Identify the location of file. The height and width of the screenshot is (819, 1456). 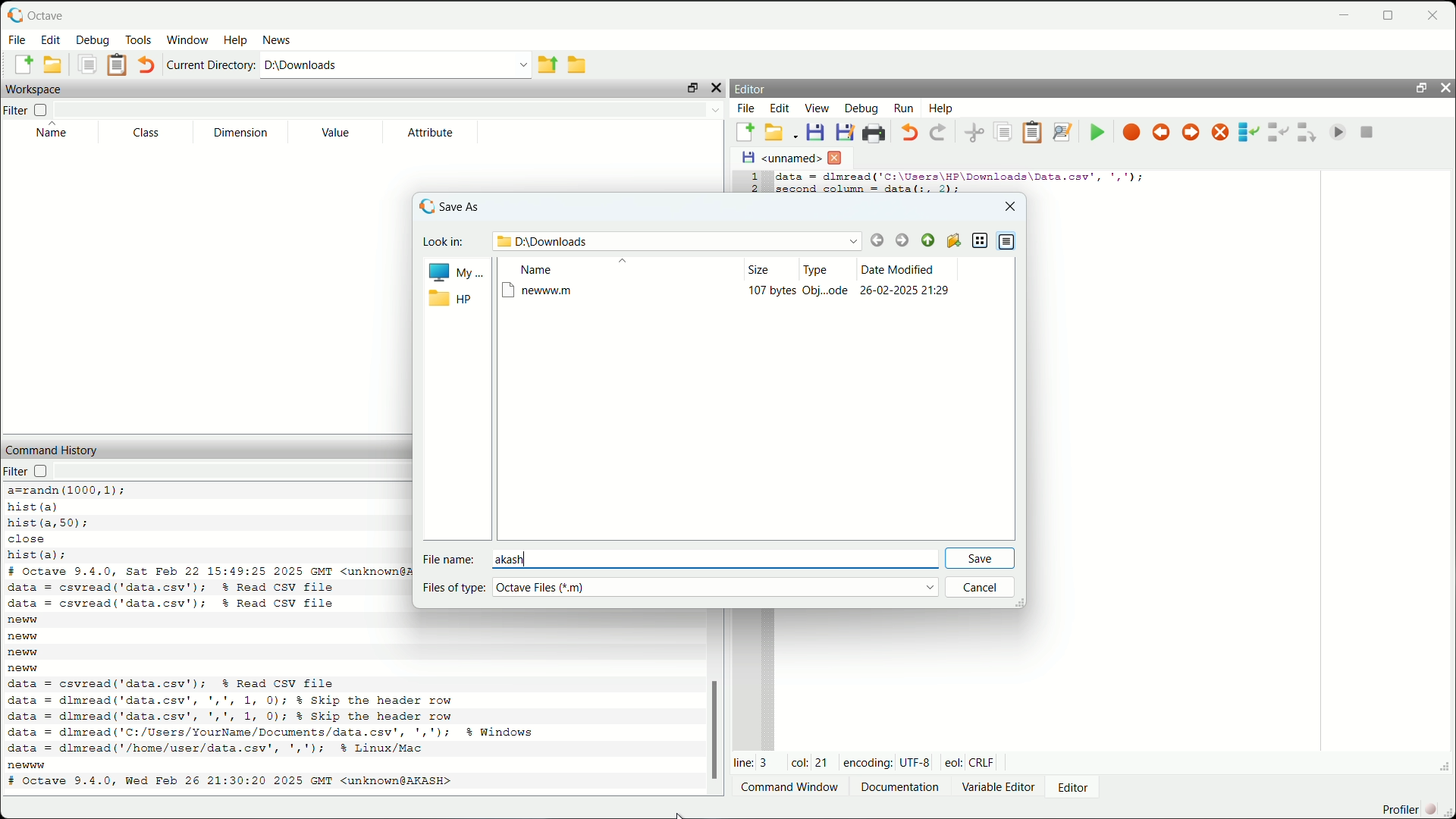
(744, 110).